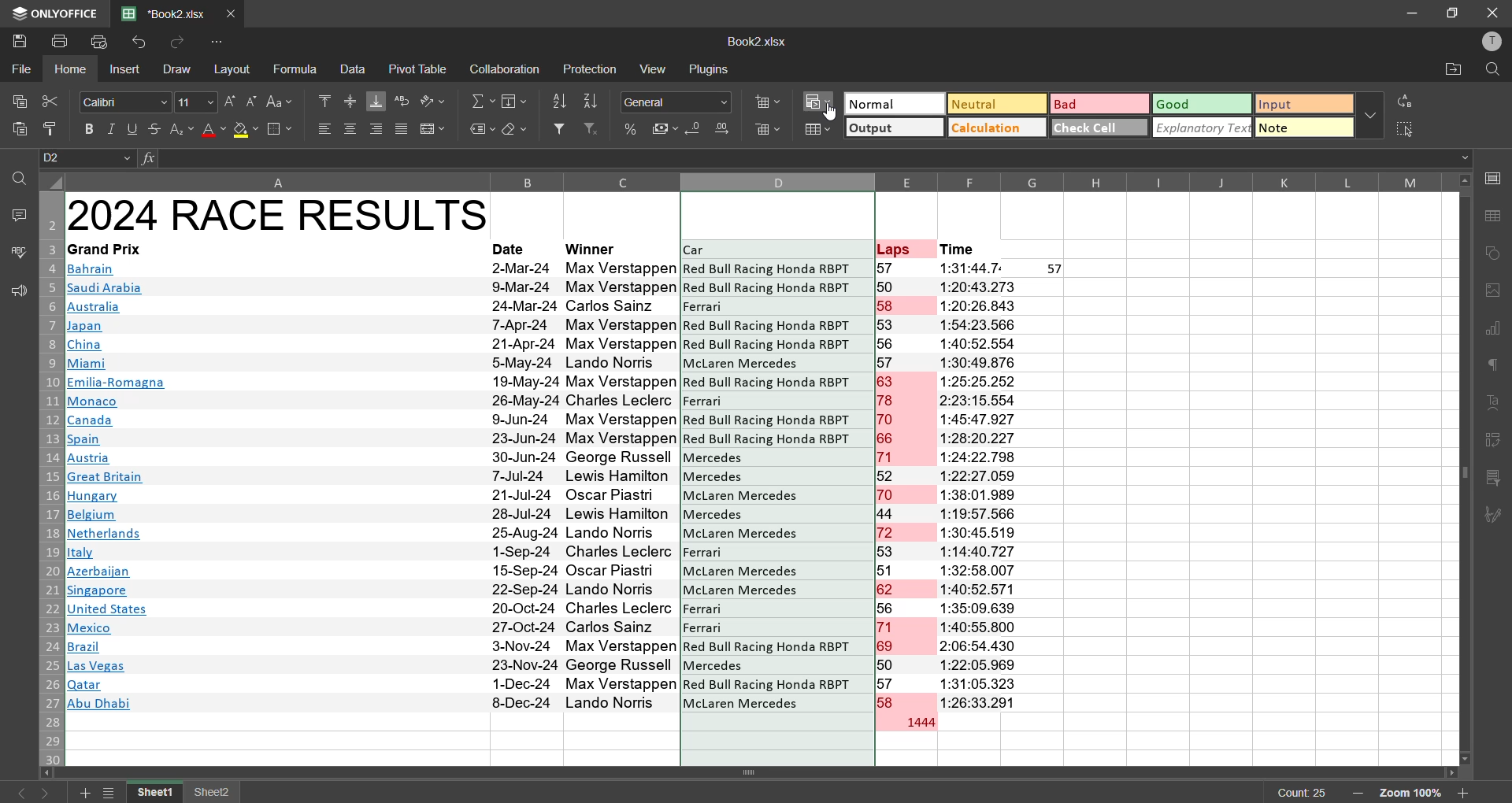  I want to click on fx, so click(150, 158).